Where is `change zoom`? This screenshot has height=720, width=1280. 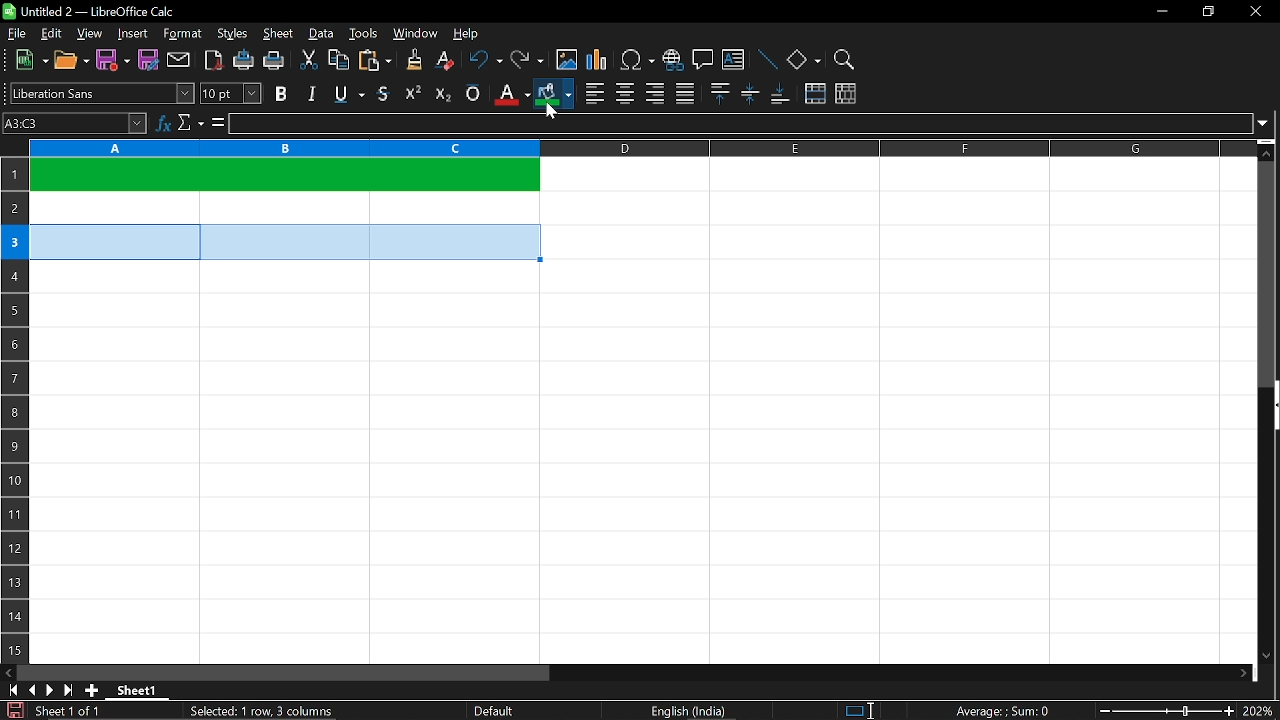 change zoom is located at coordinates (1163, 711).